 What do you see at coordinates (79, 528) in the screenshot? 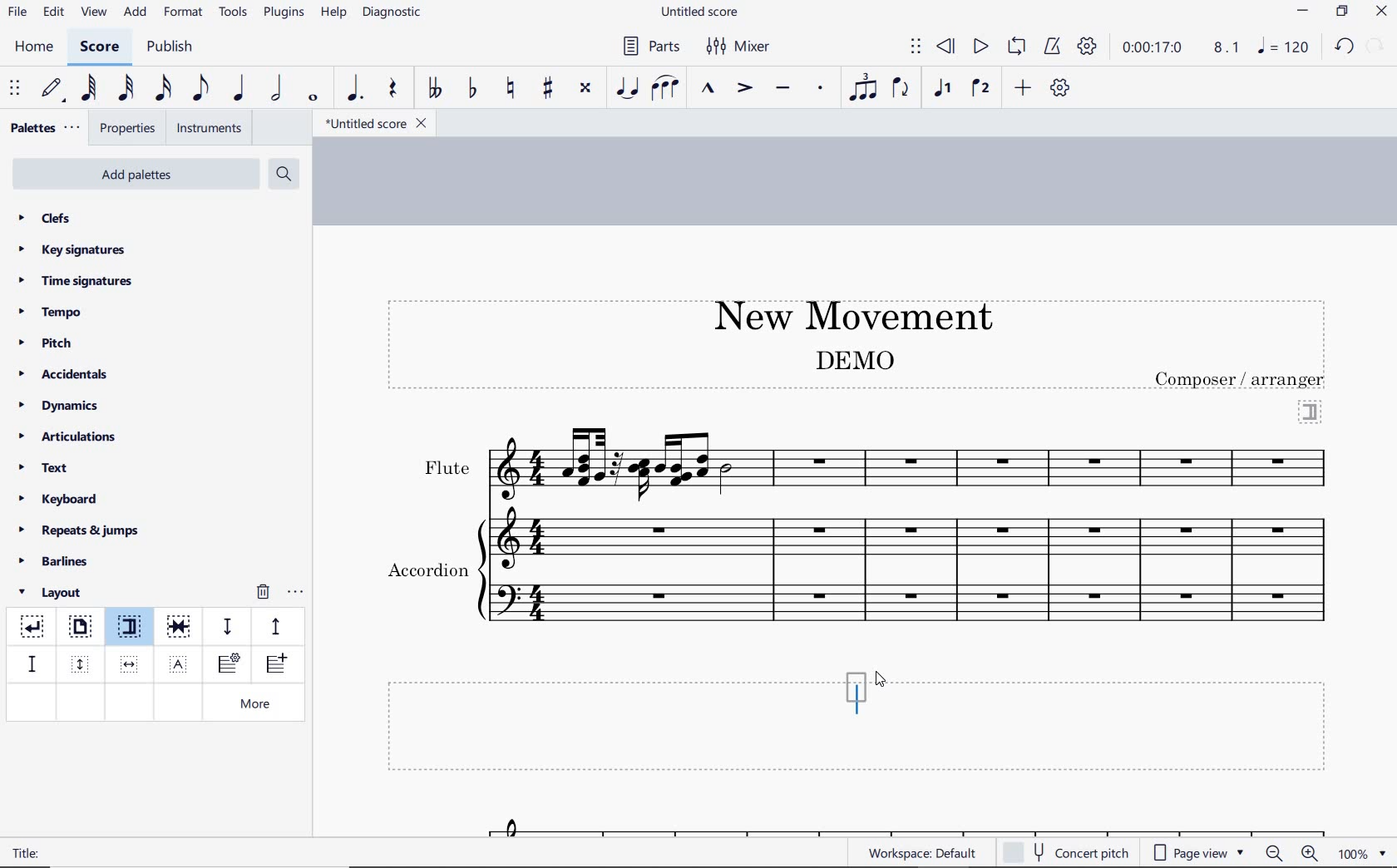
I see `repeats & jumps` at bounding box center [79, 528].